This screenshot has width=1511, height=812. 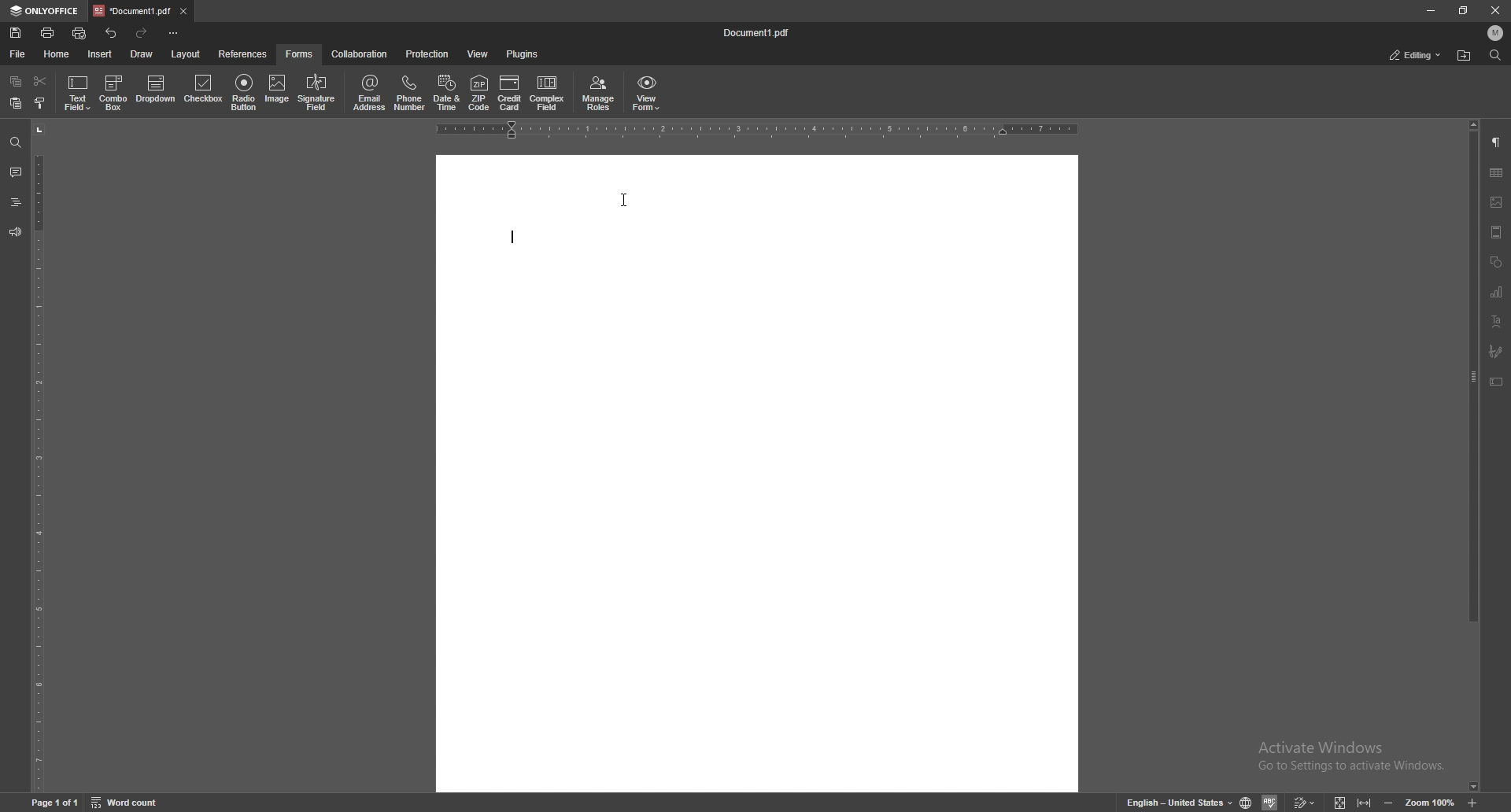 What do you see at coordinates (57, 54) in the screenshot?
I see `home` at bounding box center [57, 54].